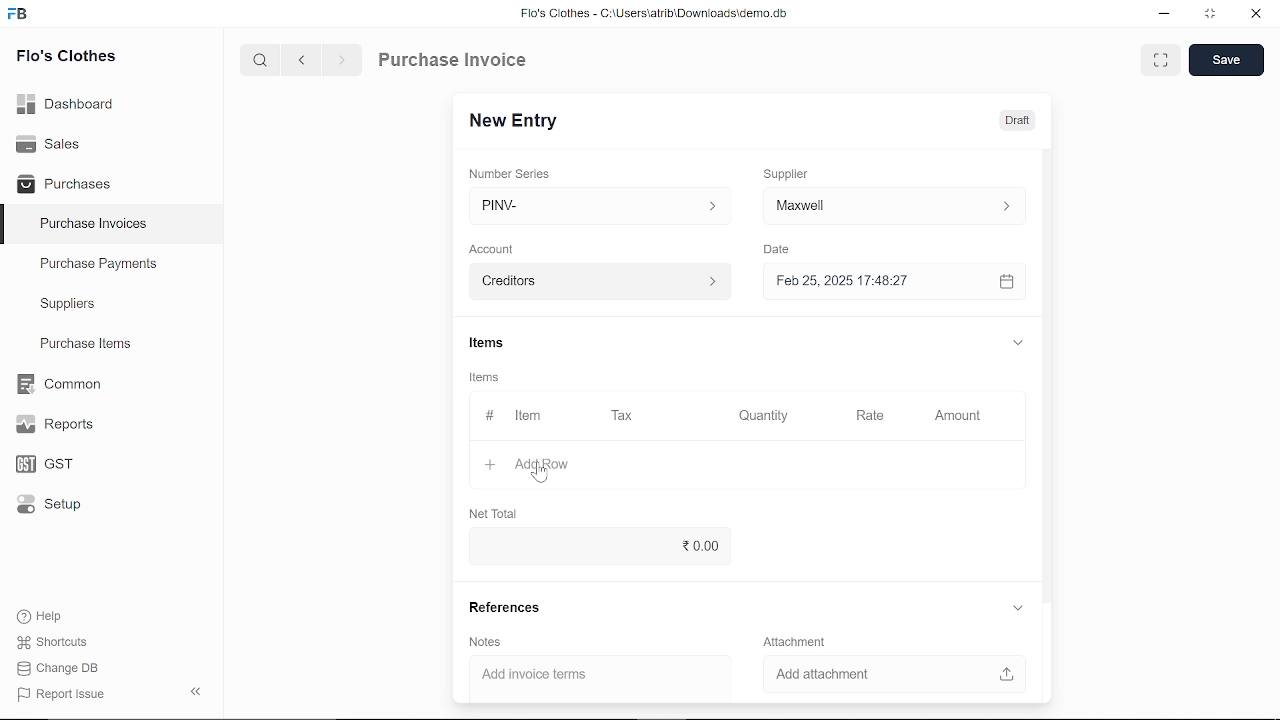  What do you see at coordinates (58, 670) in the screenshot?
I see `Change DB` at bounding box center [58, 670].